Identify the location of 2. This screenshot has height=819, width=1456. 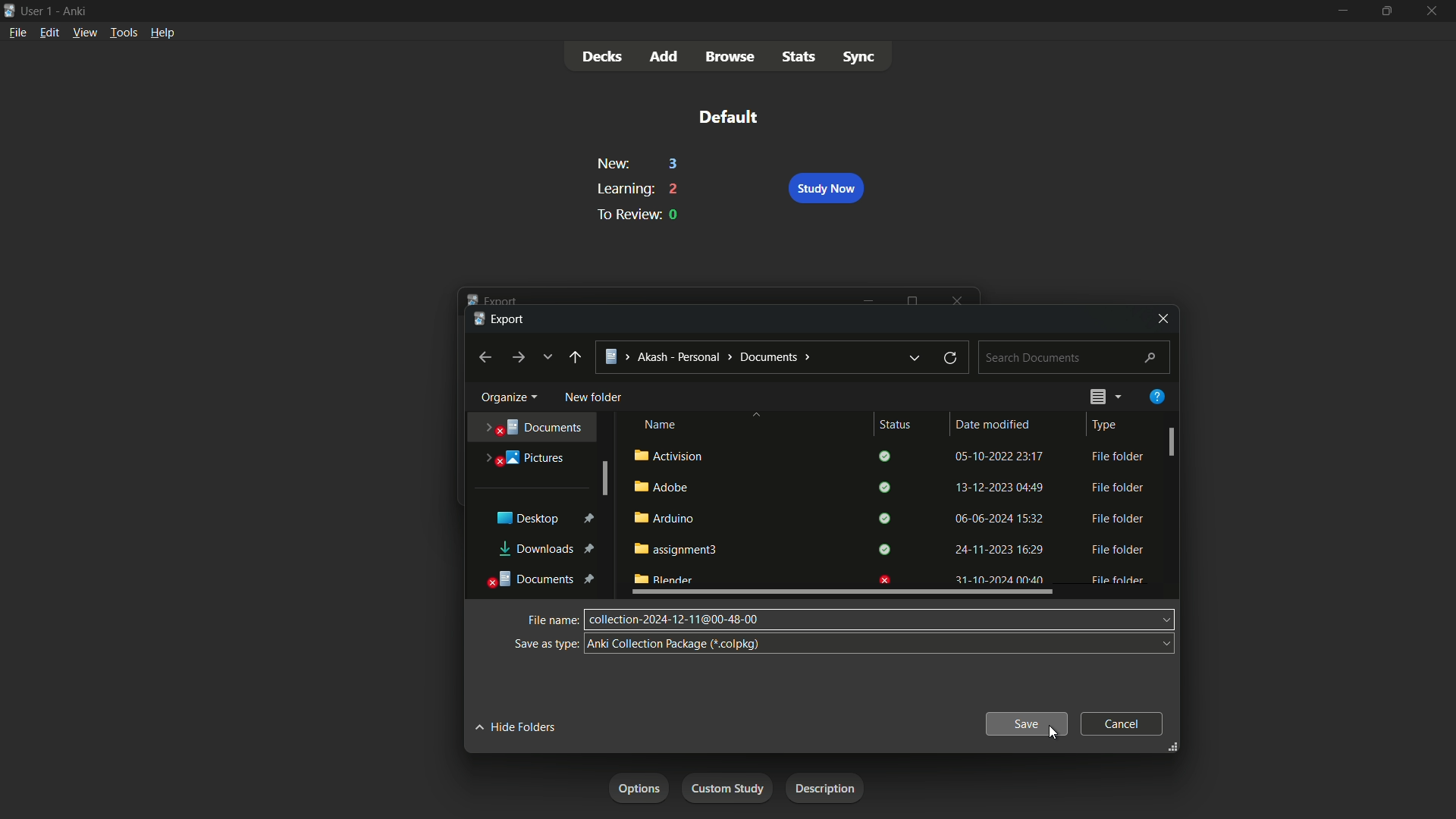
(675, 189).